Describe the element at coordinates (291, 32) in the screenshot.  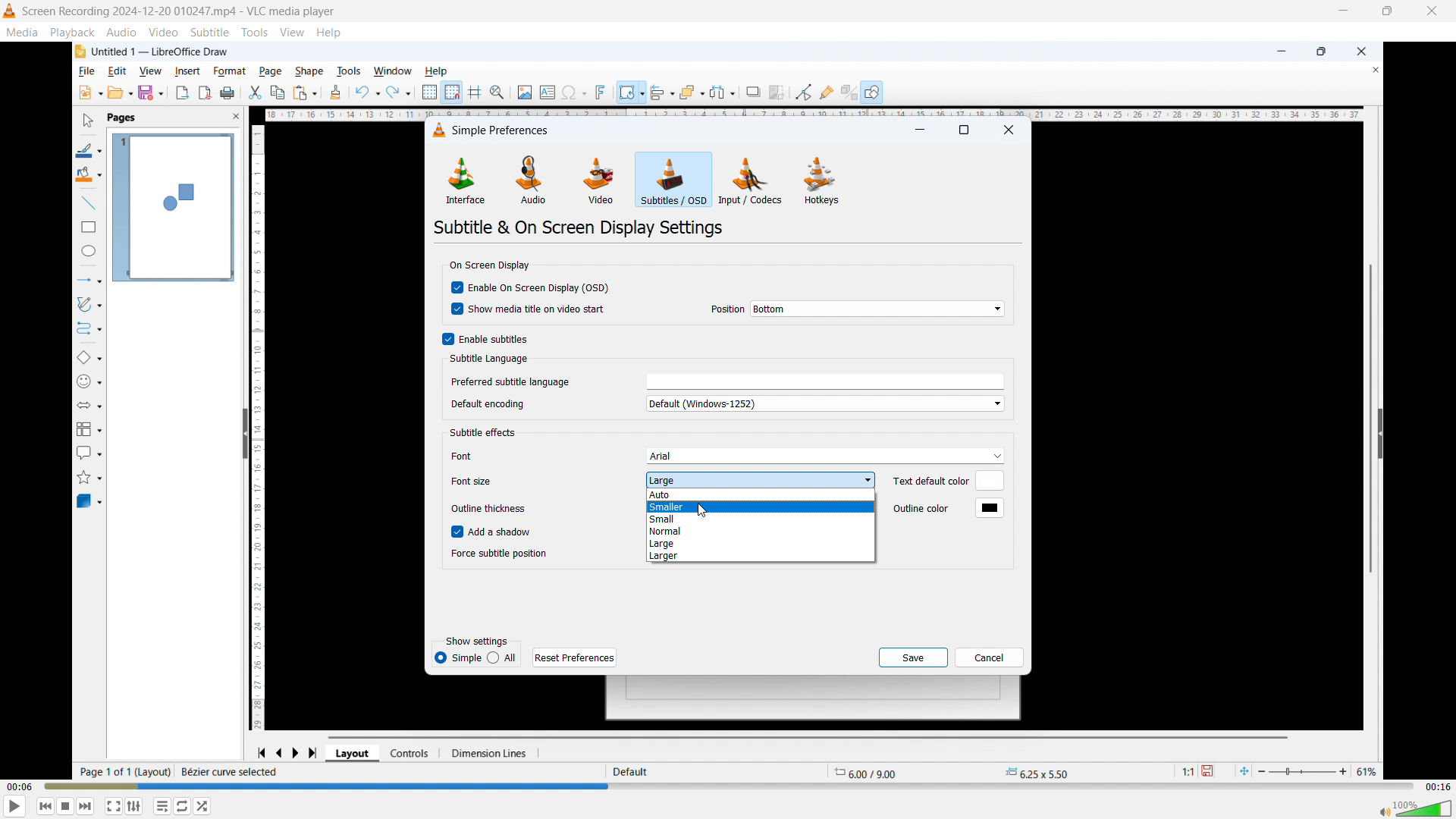
I see `view ` at that location.